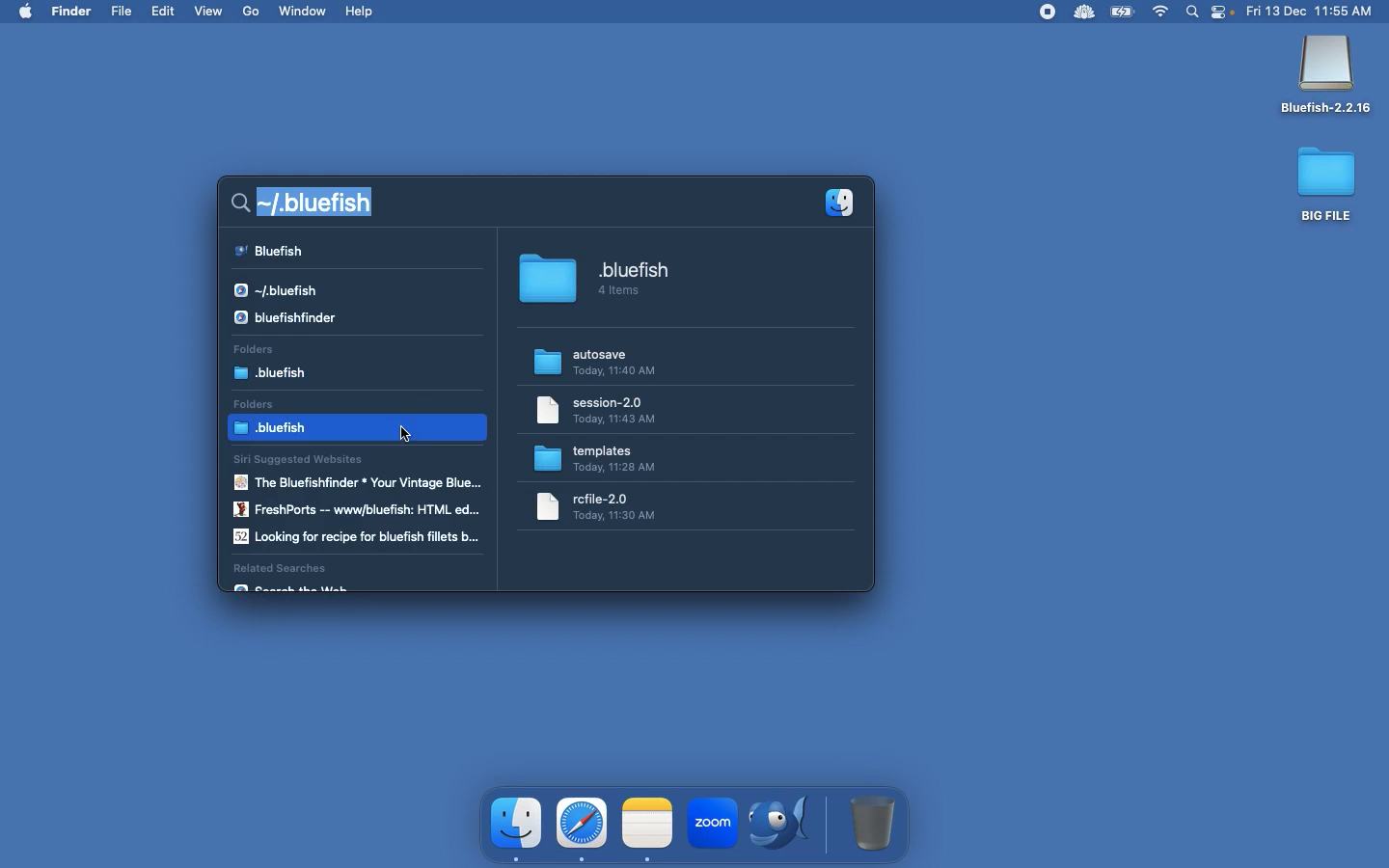  What do you see at coordinates (356, 403) in the screenshot?
I see `Folders` at bounding box center [356, 403].